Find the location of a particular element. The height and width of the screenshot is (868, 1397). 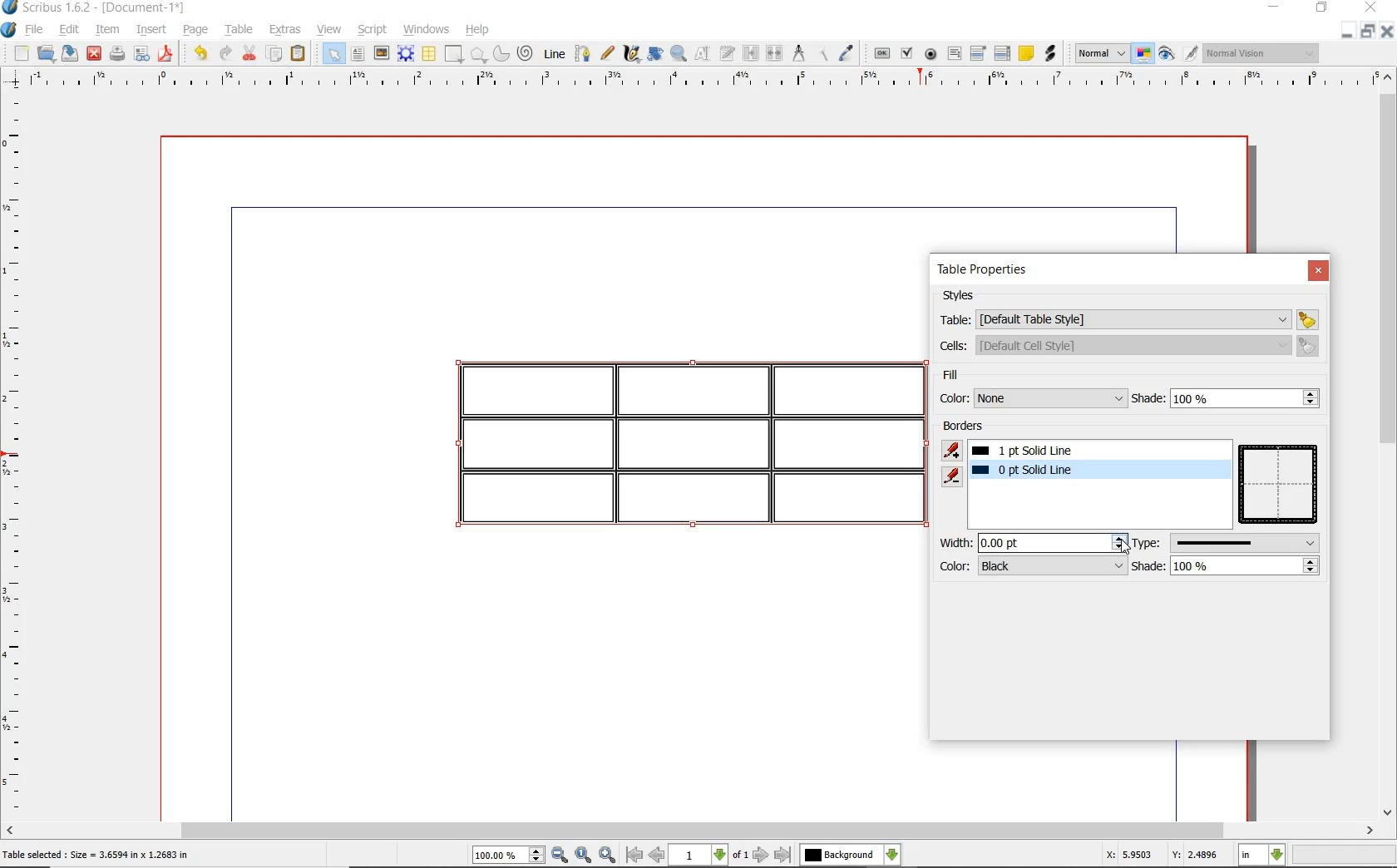

1pt solid line is located at coordinates (1031, 451).